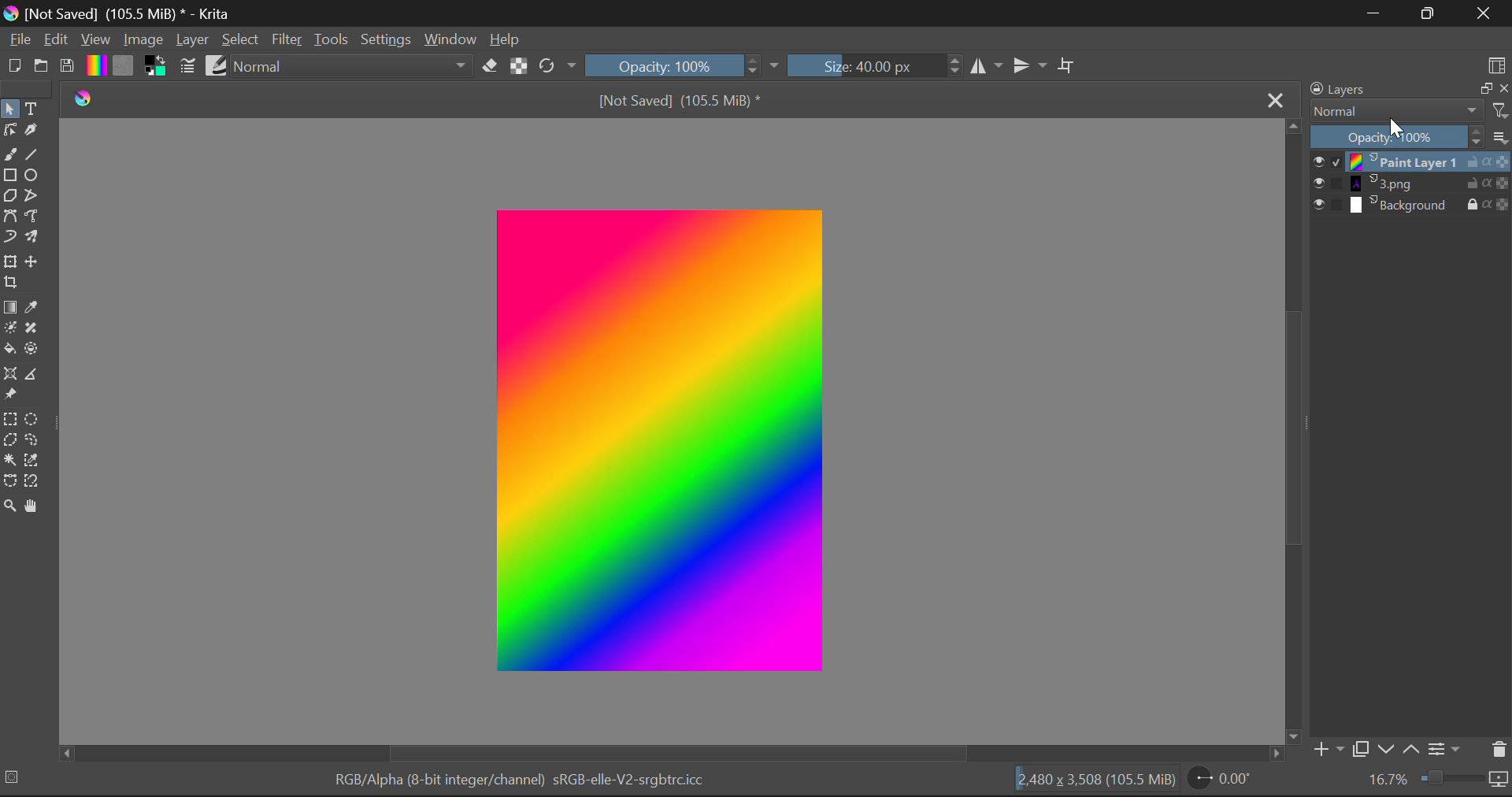  Describe the element at coordinates (521, 780) in the screenshot. I see `RGB/Alpha (8-bit integer/channel) sRGB-elle-V2-srgbtrc.icc` at that location.